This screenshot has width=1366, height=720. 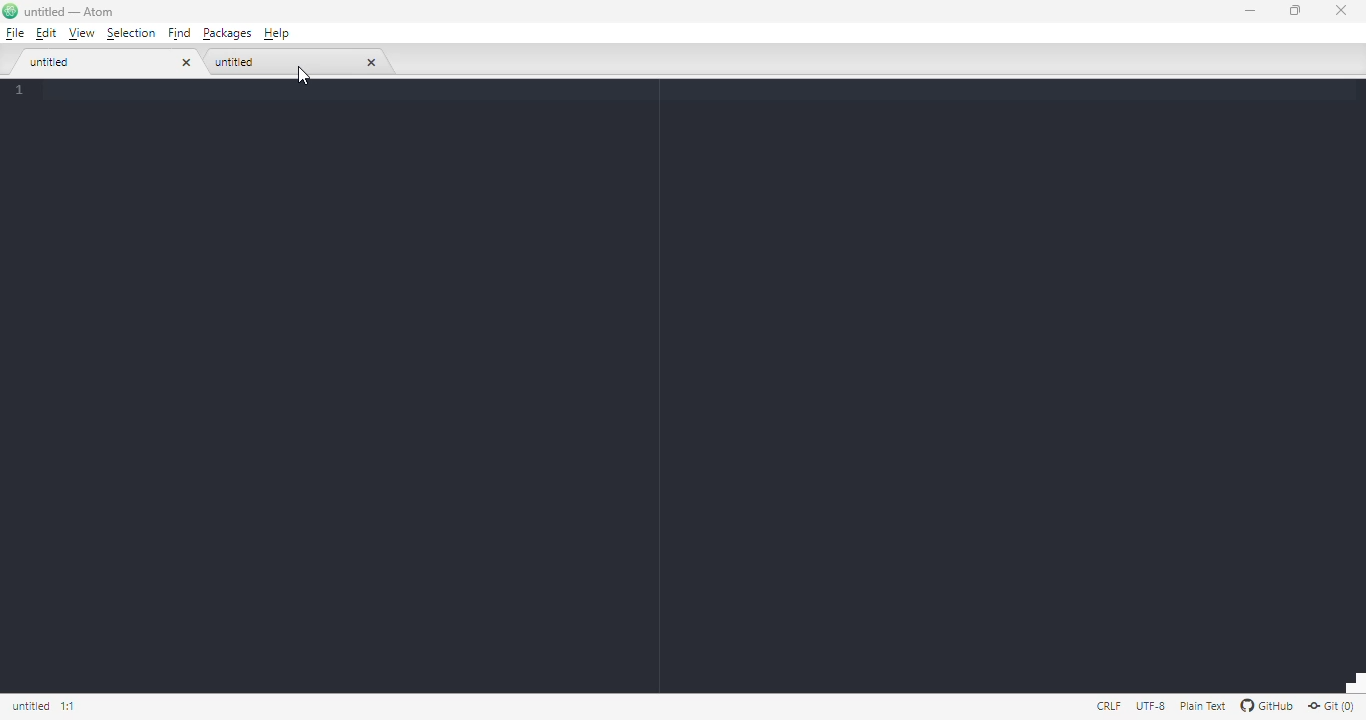 I want to click on close, so click(x=1339, y=11).